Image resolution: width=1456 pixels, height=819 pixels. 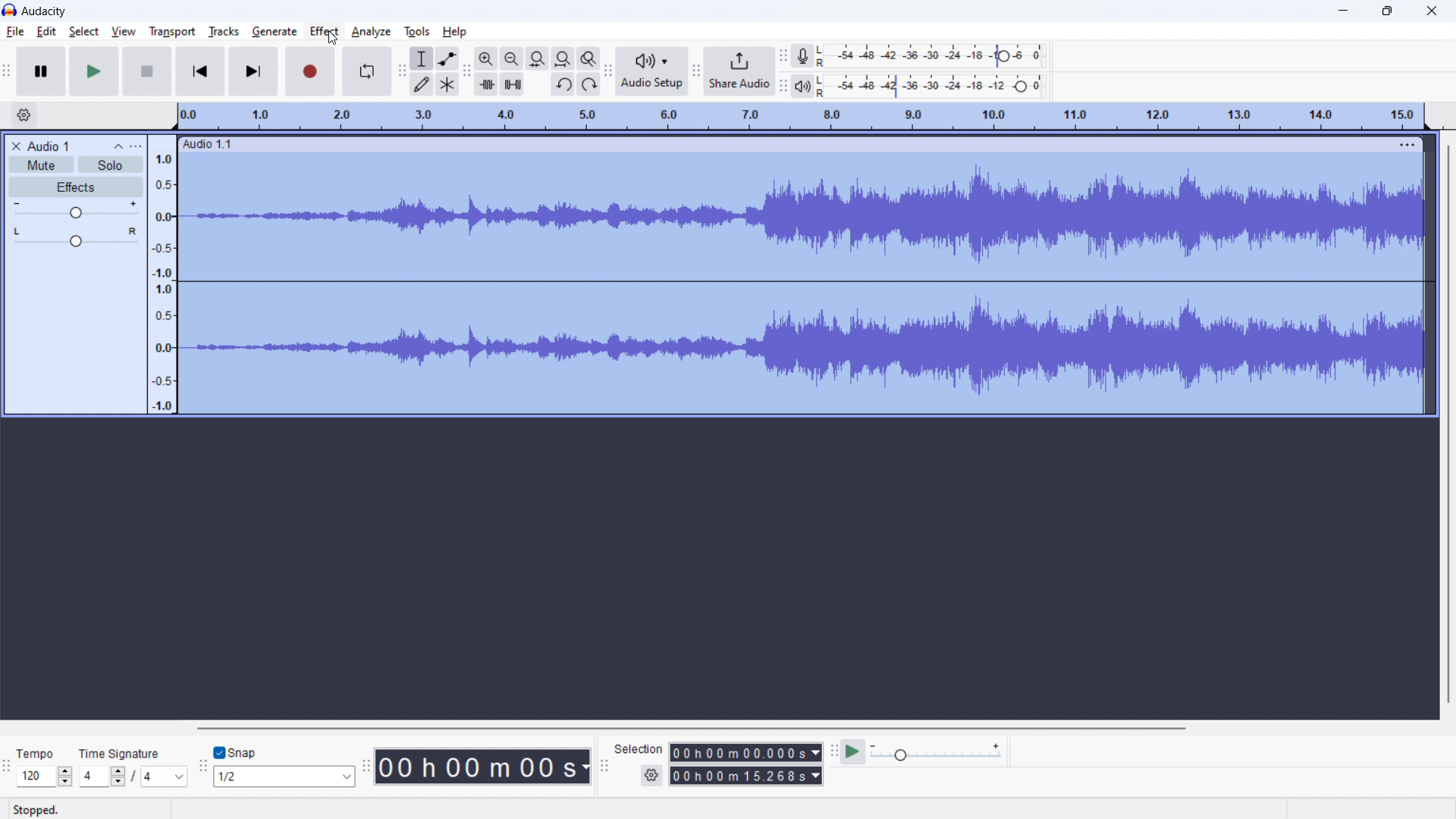 What do you see at coordinates (366, 768) in the screenshot?
I see `time toolbar` at bounding box center [366, 768].